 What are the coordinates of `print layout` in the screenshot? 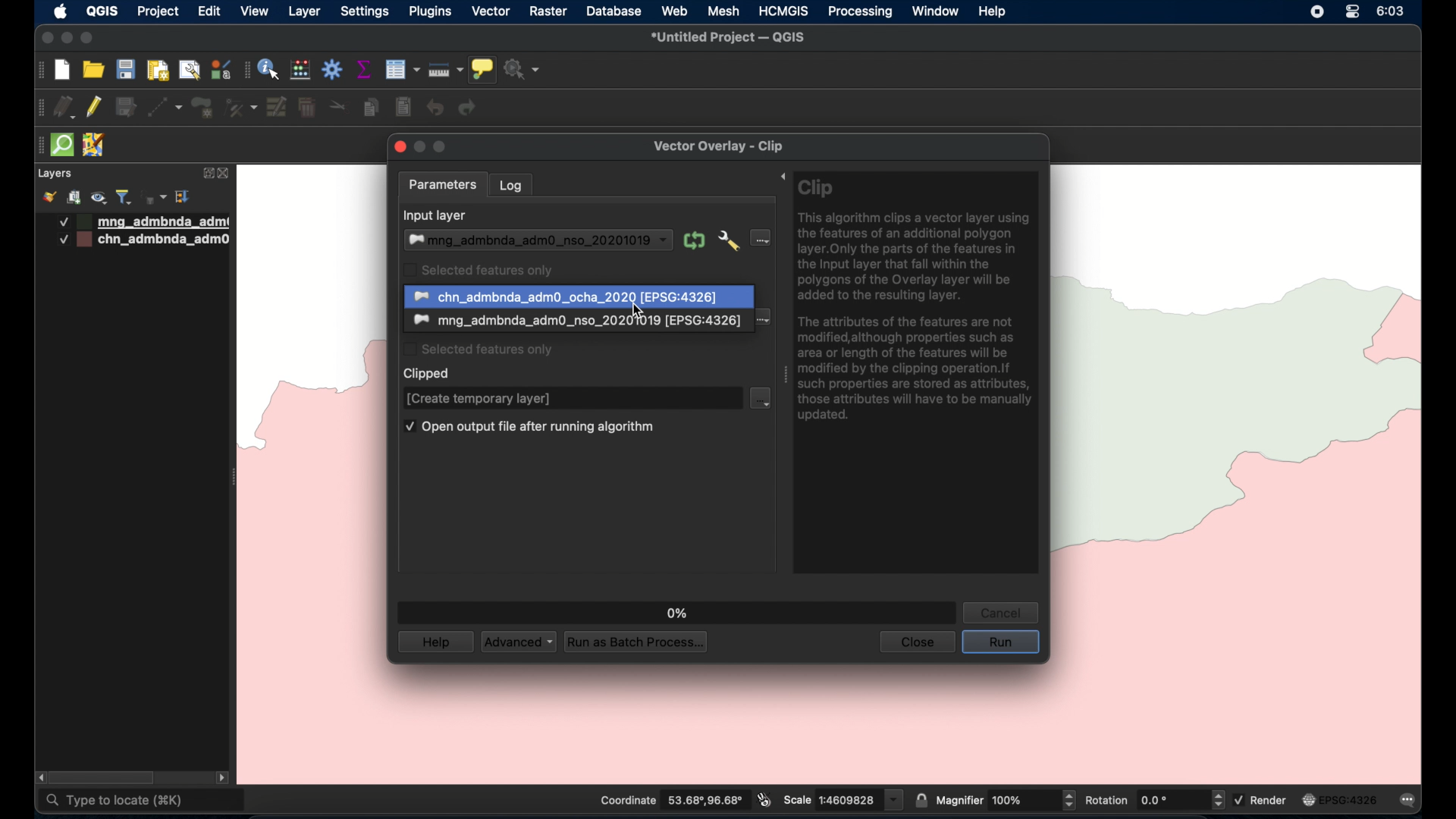 It's located at (157, 71).